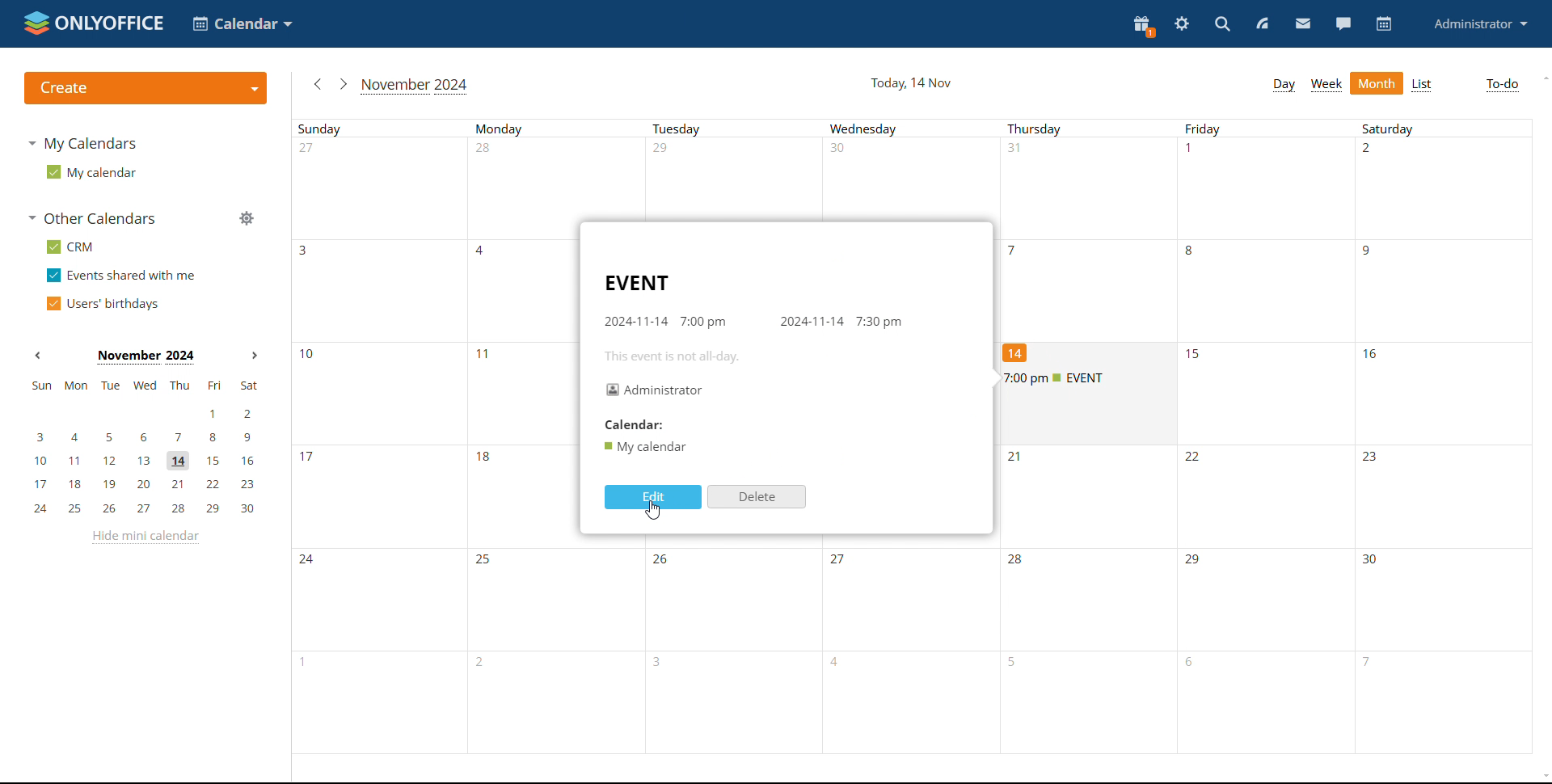  Describe the element at coordinates (342, 83) in the screenshot. I see `next month` at that location.